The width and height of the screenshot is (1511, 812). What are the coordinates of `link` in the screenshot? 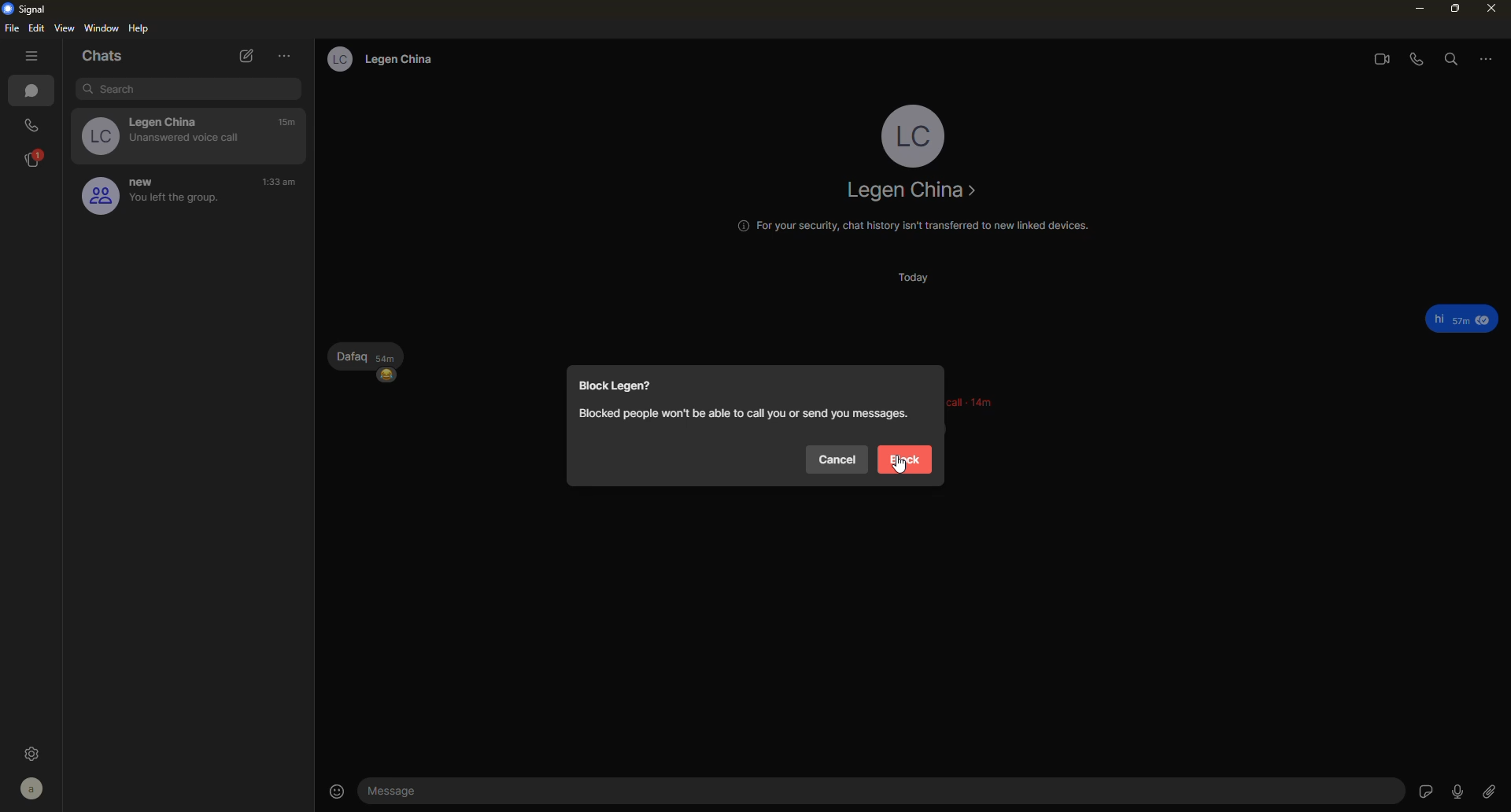 It's located at (1494, 790).